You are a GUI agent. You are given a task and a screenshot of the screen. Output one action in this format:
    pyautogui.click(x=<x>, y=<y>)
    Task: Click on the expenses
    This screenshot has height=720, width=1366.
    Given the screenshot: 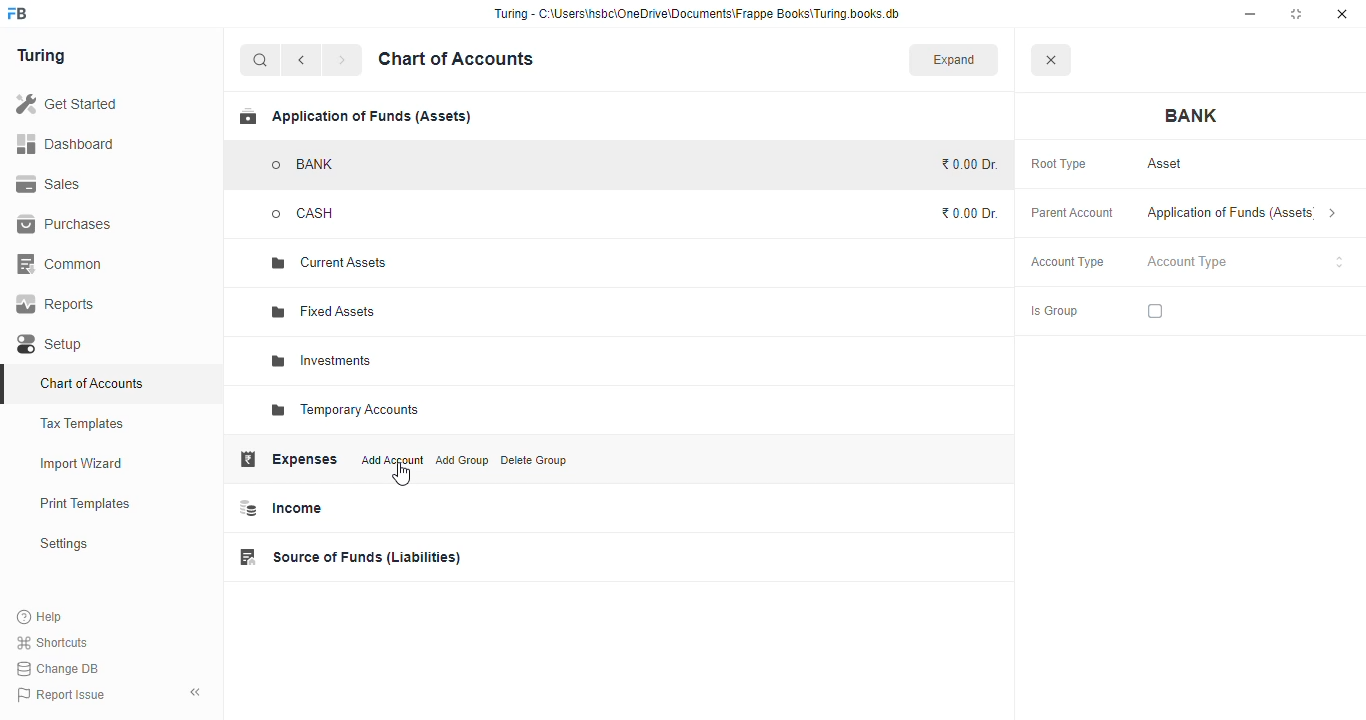 What is the action you would take?
    pyautogui.click(x=288, y=459)
    